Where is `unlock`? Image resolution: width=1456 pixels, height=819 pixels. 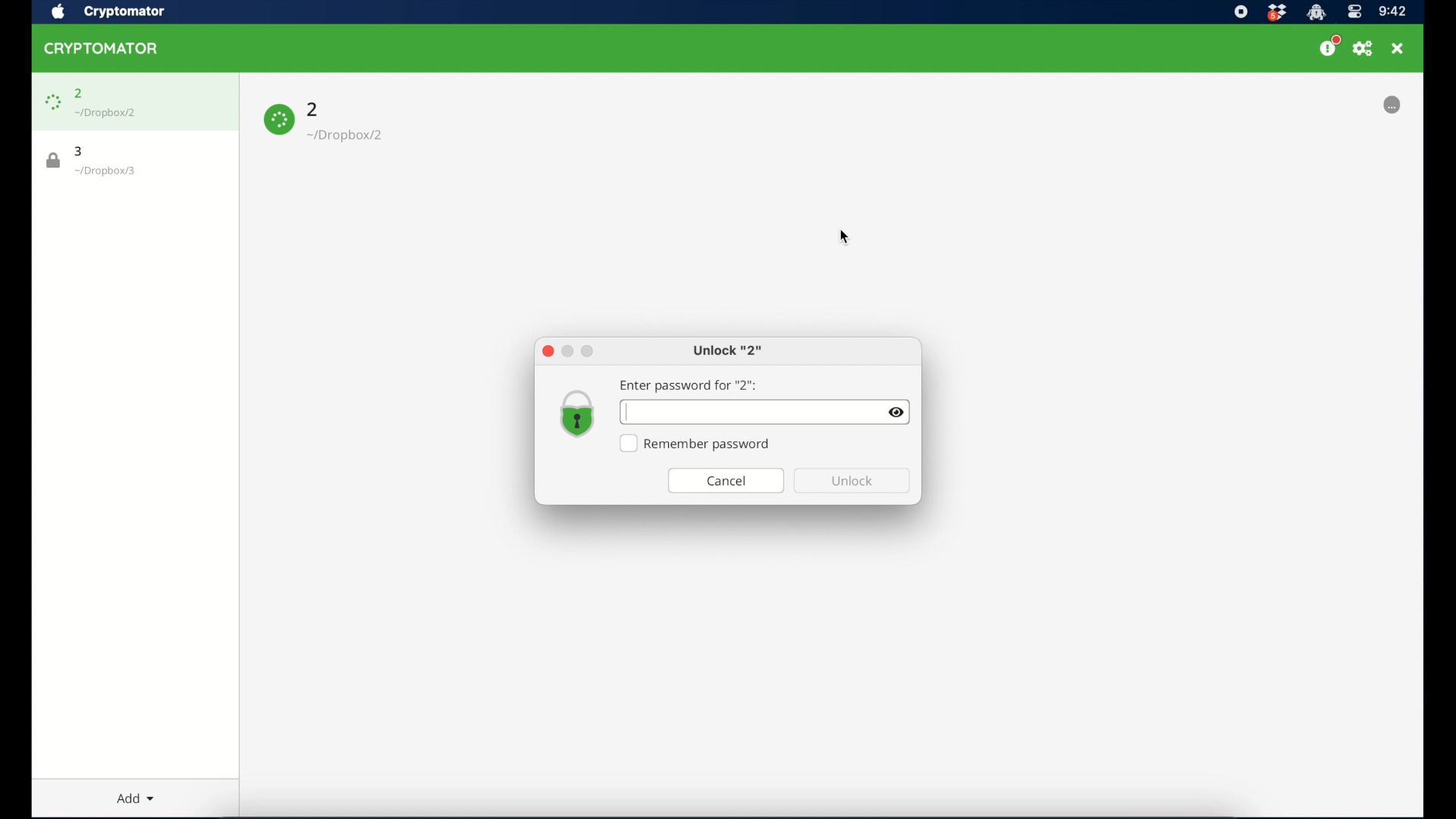 unlock is located at coordinates (852, 481).